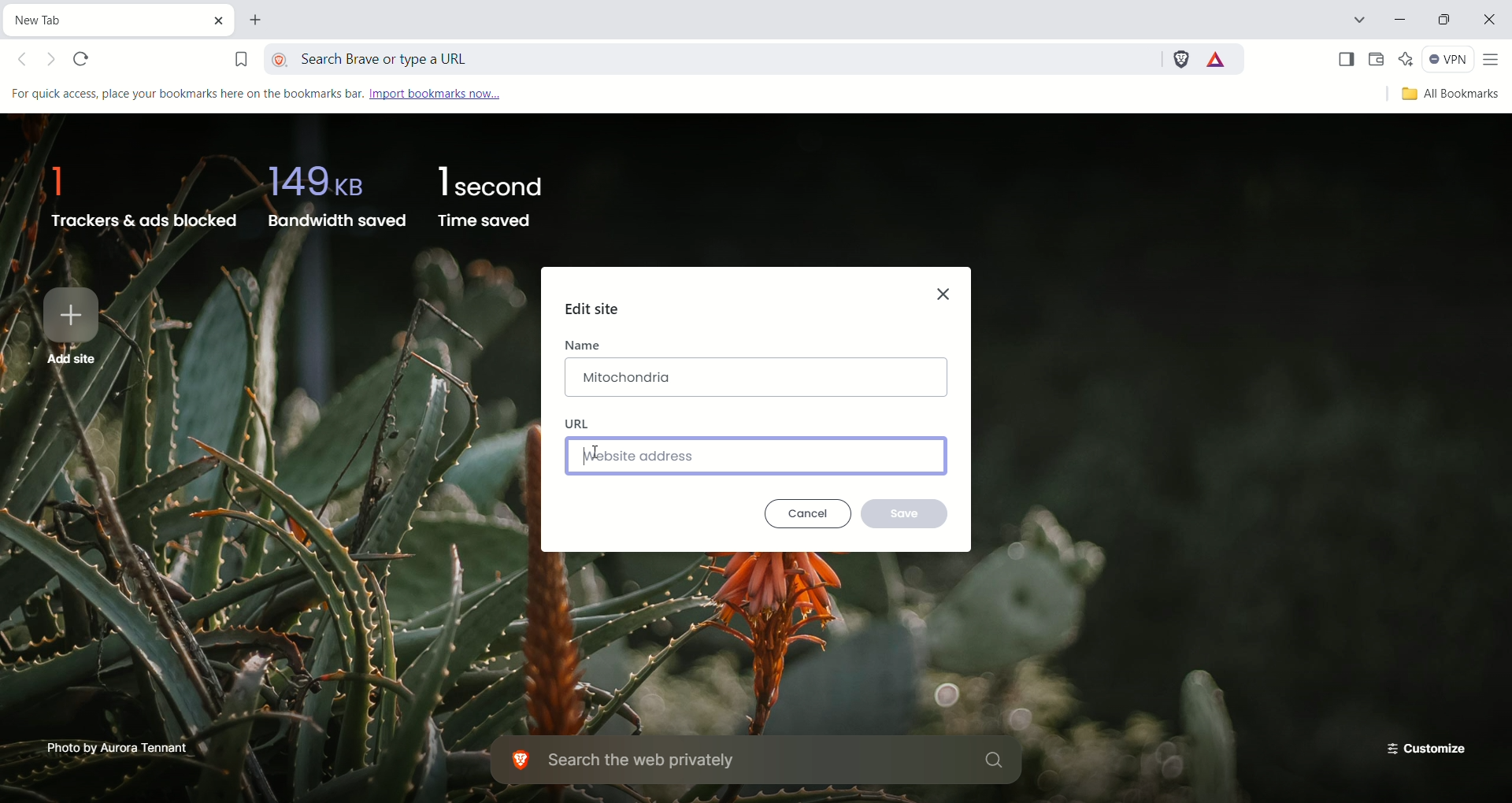 The width and height of the screenshot is (1512, 803). Describe the element at coordinates (185, 94) in the screenshot. I see `For quick access, place your bookmarks here on the bookmarks bar.` at that location.